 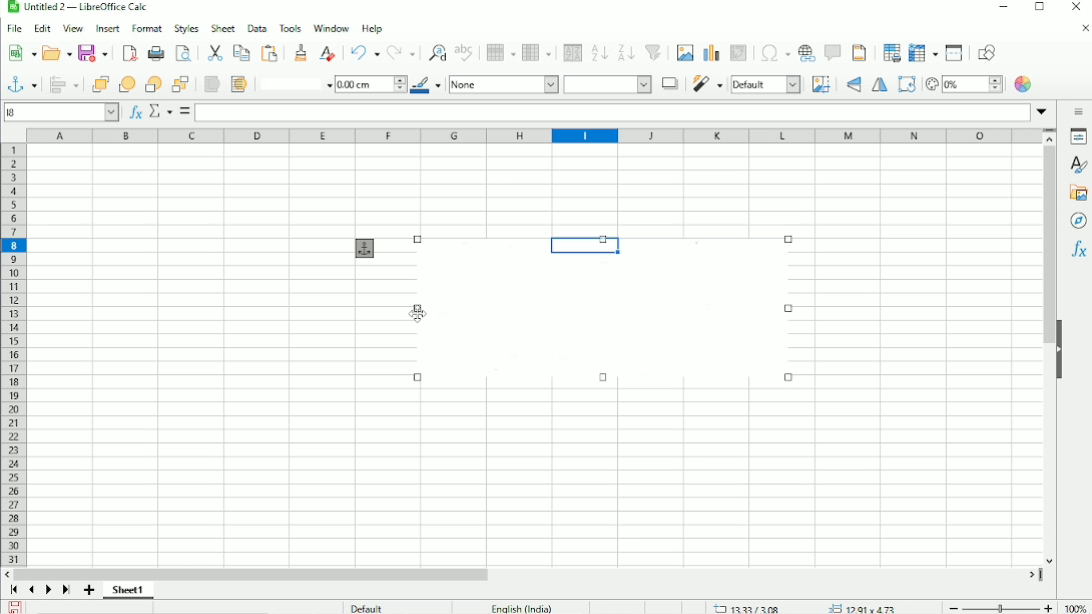 What do you see at coordinates (538, 52) in the screenshot?
I see `Column` at bounding box center [538, 52].